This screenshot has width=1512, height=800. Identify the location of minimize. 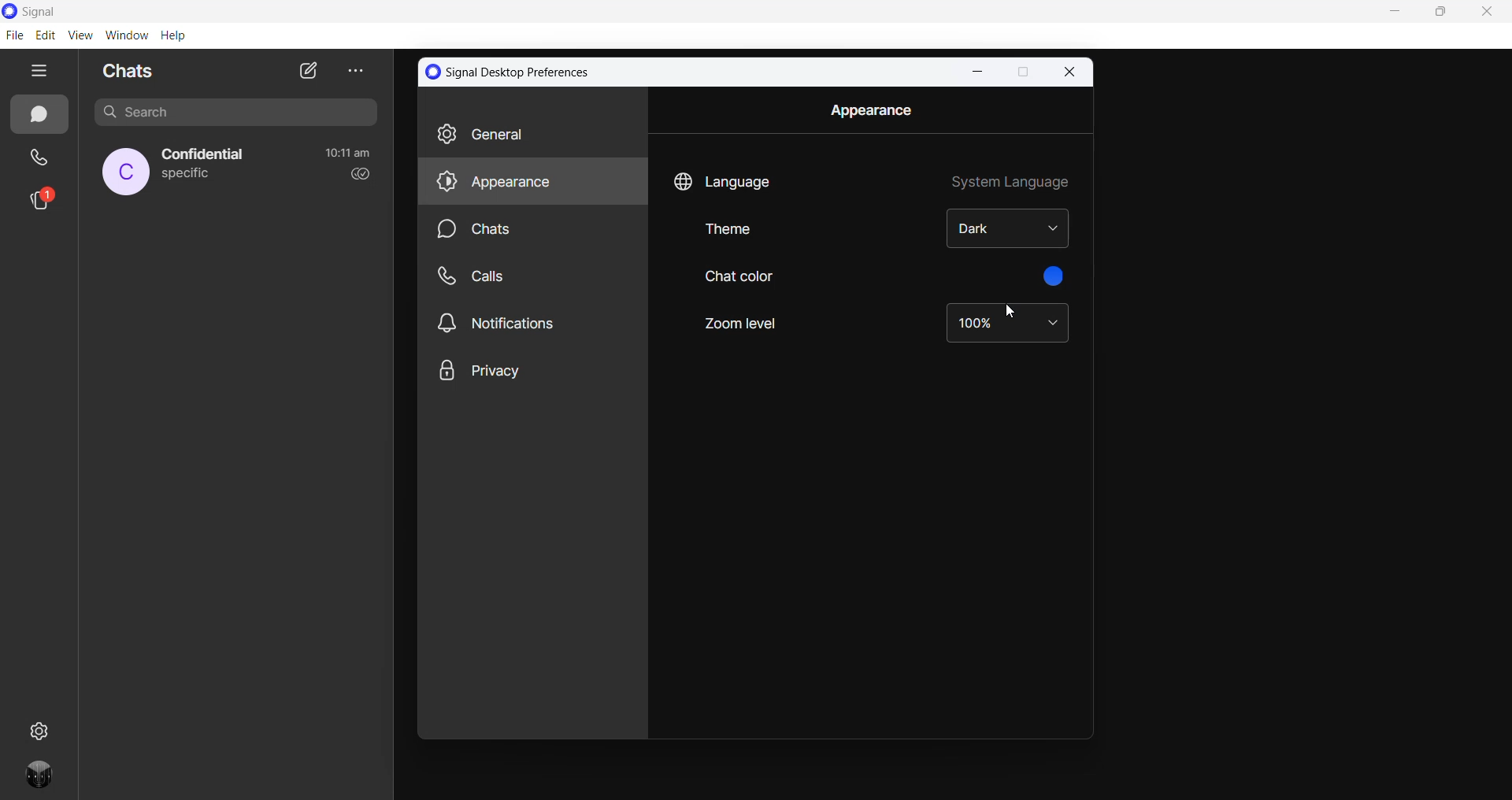
(975, 72).